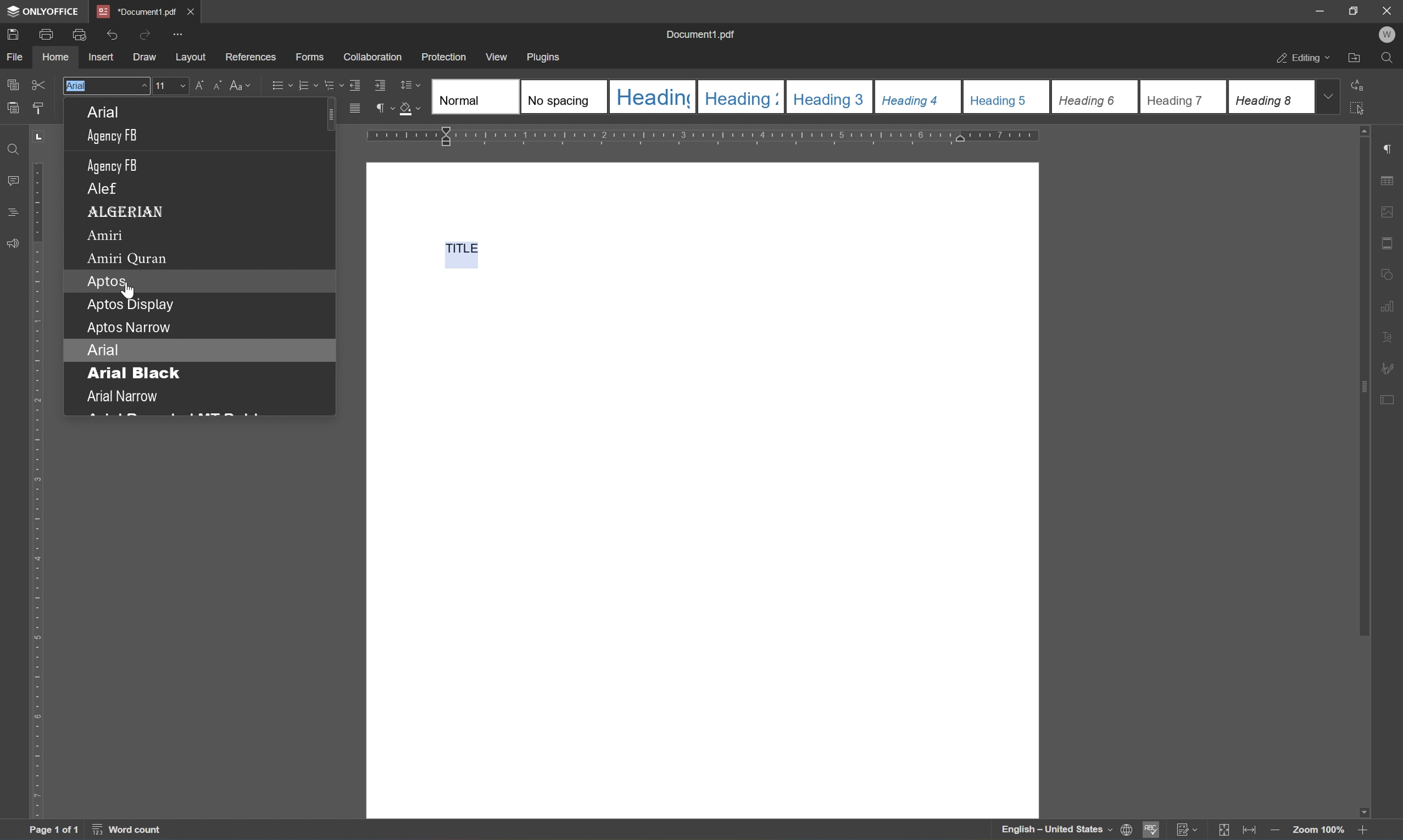 This screenshot has height=840, width=1403. I want to click on text art settings, so click(1391, 335).